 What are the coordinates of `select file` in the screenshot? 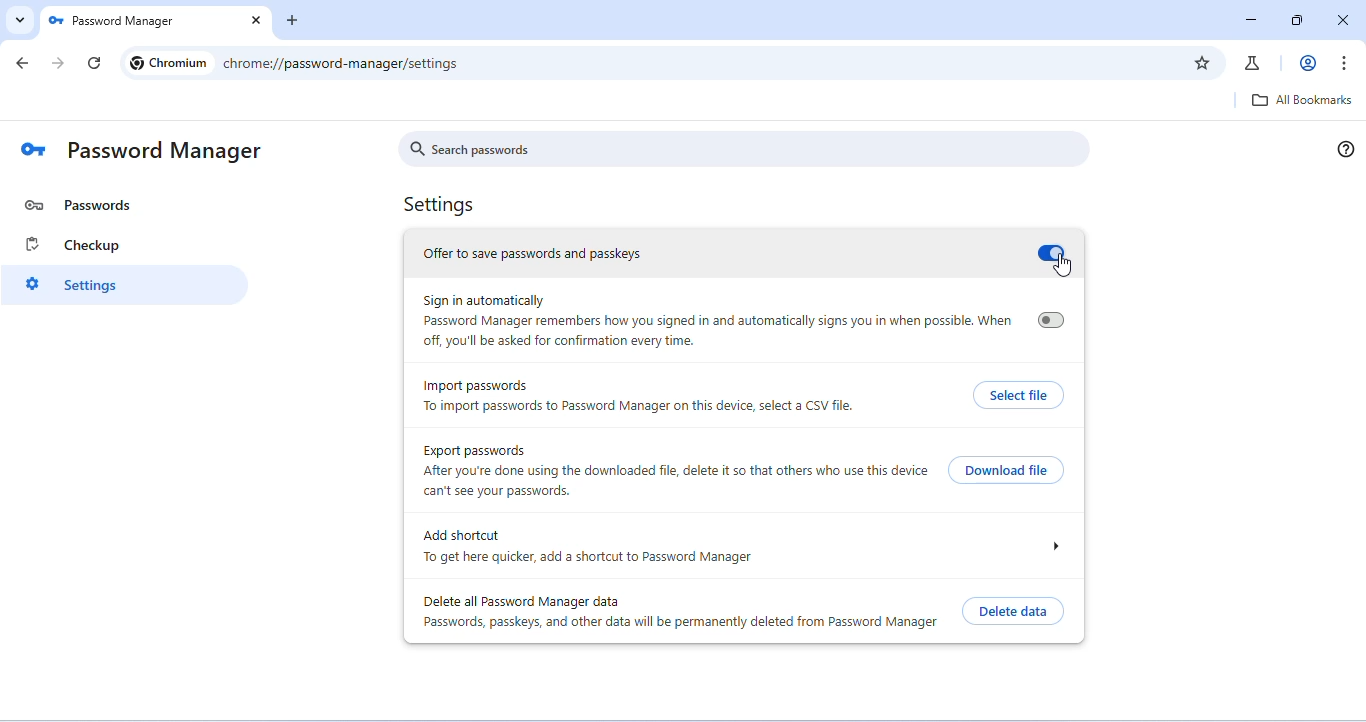 It's located at (1020, 395).